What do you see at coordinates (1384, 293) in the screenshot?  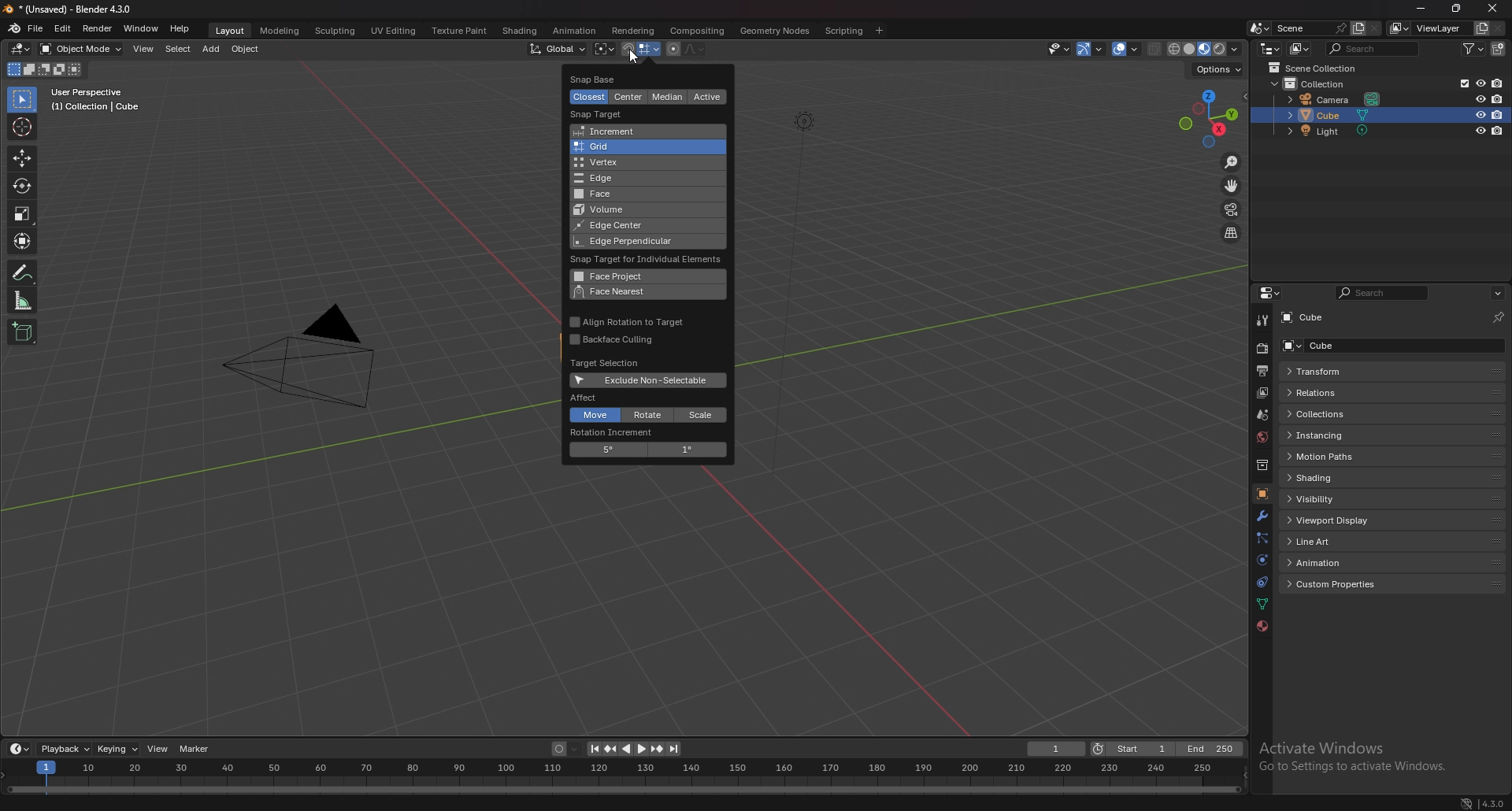 I see `search` at bounding box center [1384, 293].